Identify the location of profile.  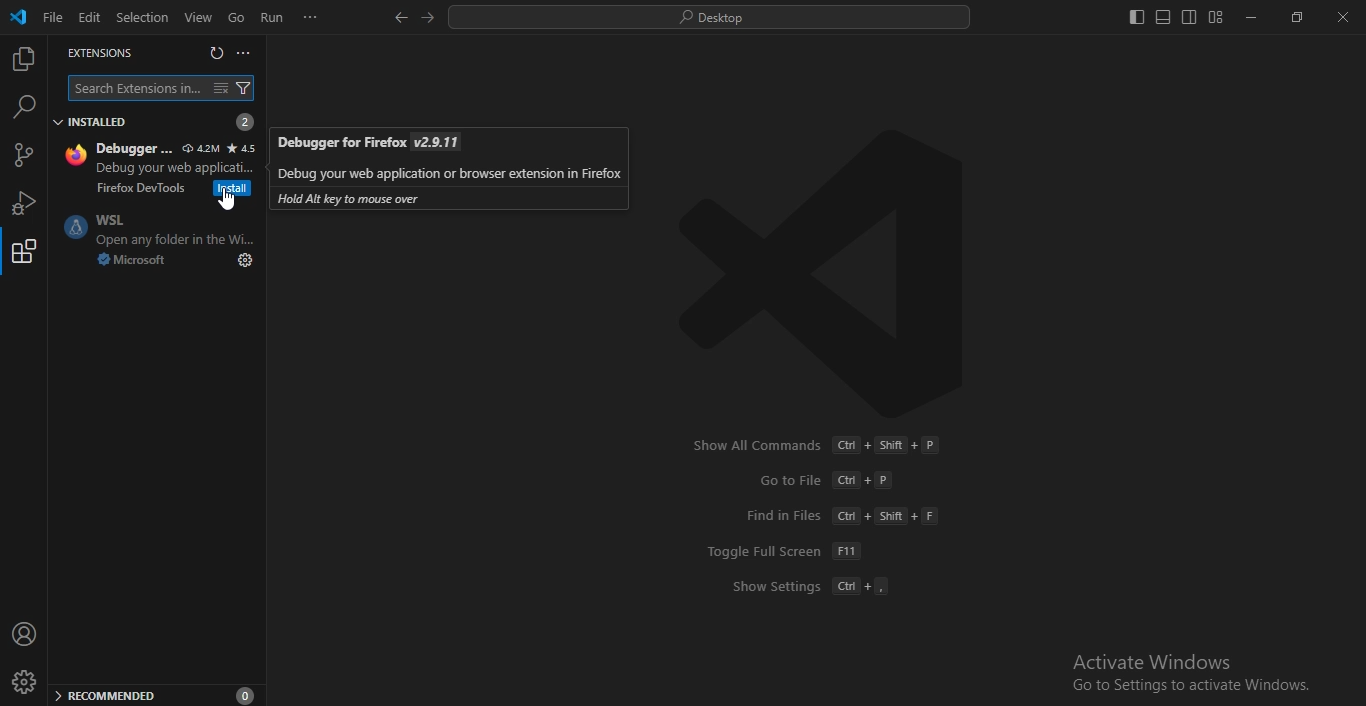
(26, 682).